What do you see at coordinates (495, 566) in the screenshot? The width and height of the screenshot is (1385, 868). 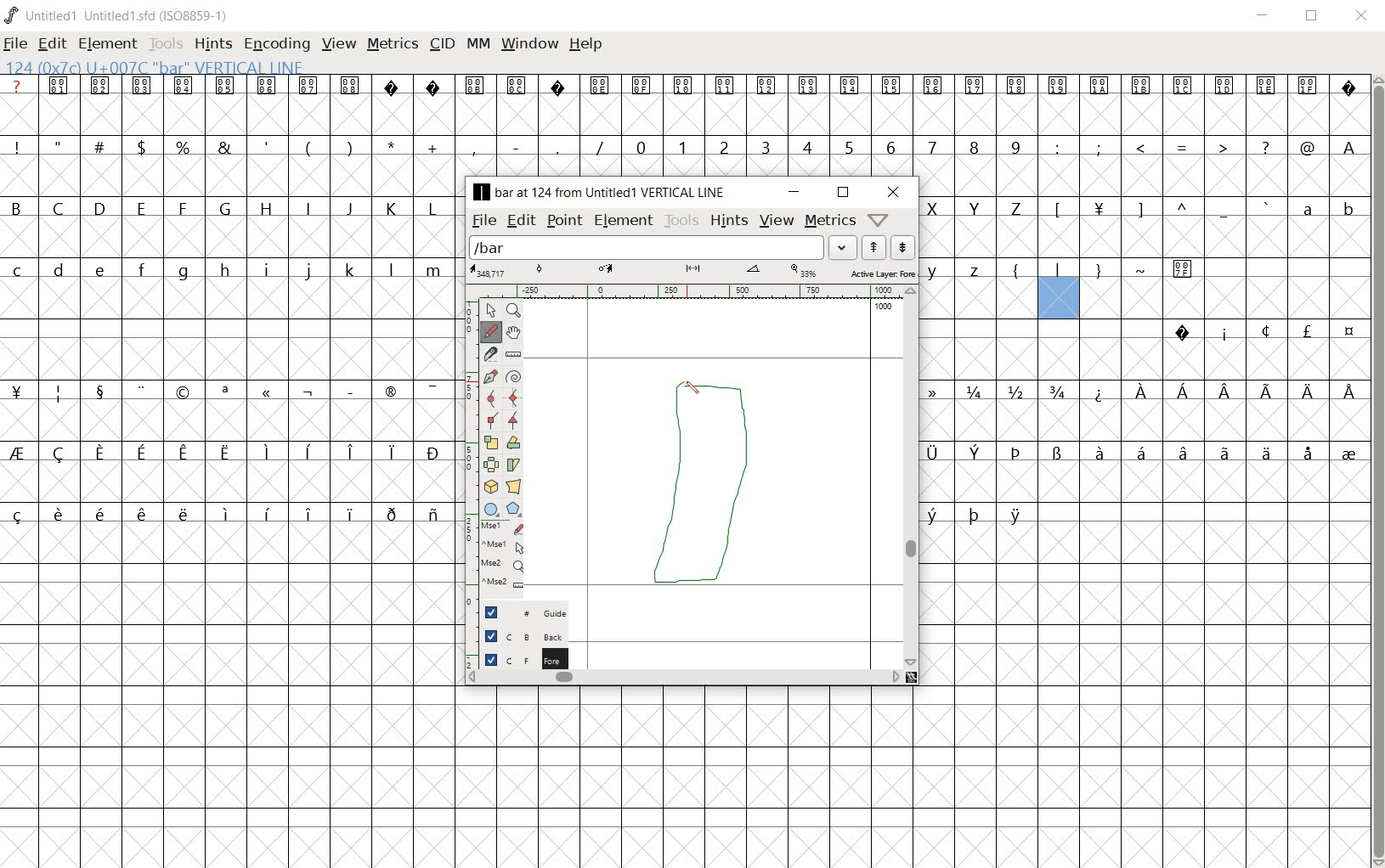 I see `mse2` at bounding box center [495, 566].